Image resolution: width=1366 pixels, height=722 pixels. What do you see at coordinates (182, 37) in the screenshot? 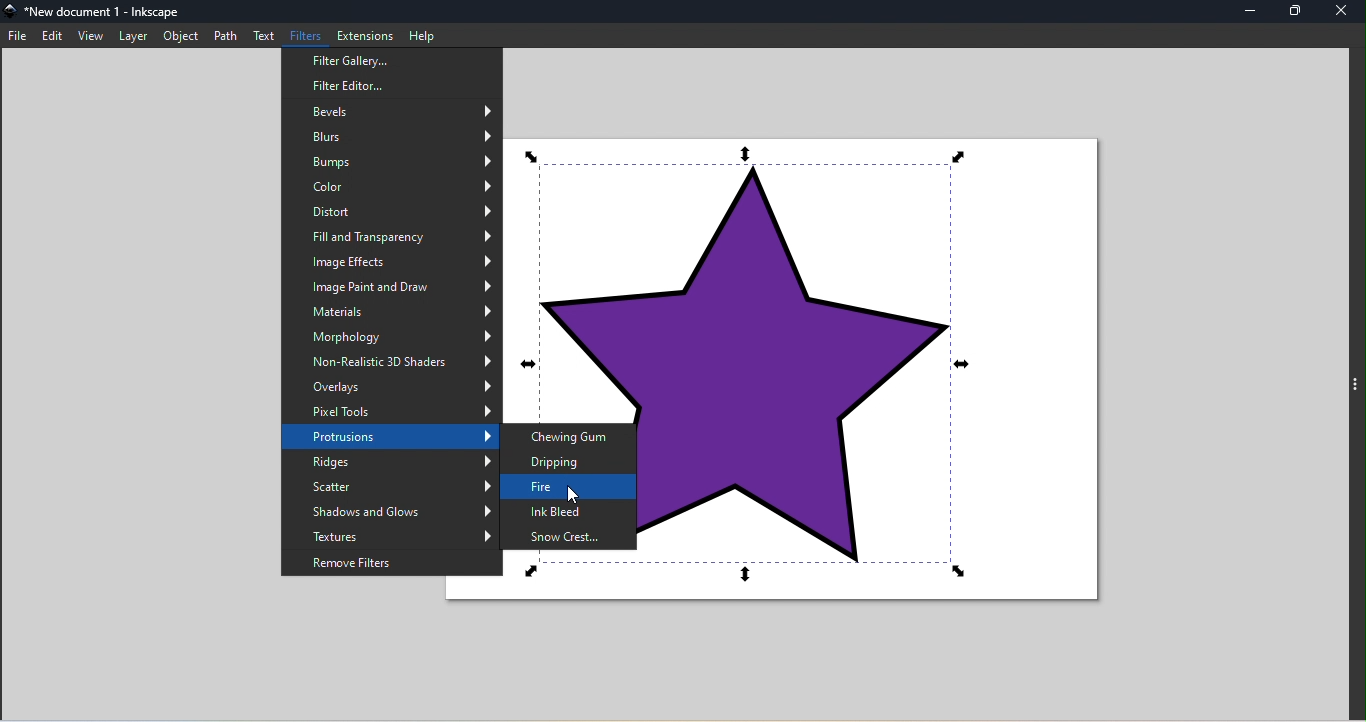
I see `Object` at bounding box center [182, 37].